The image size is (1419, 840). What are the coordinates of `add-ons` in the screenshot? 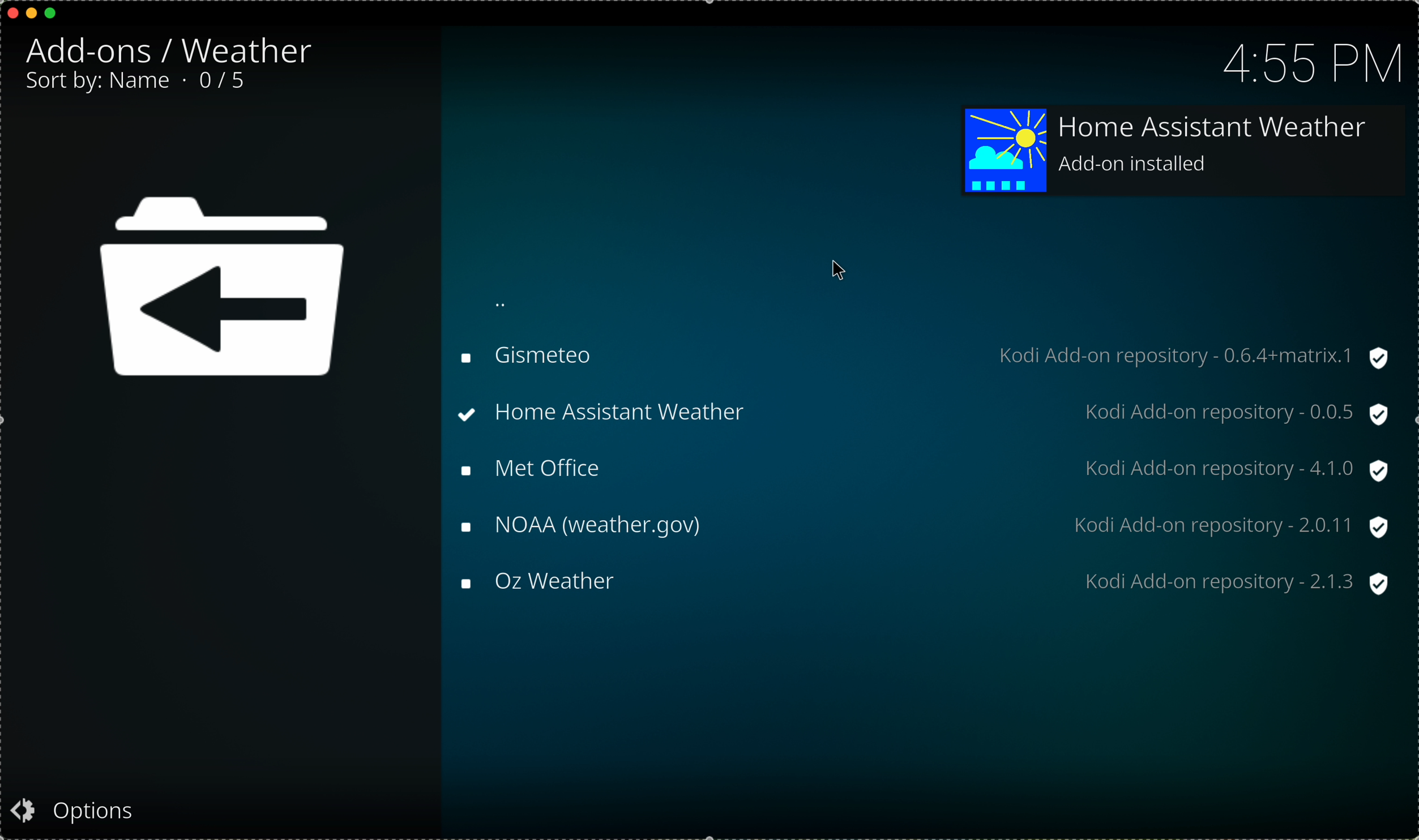 It's located at (97, 53).